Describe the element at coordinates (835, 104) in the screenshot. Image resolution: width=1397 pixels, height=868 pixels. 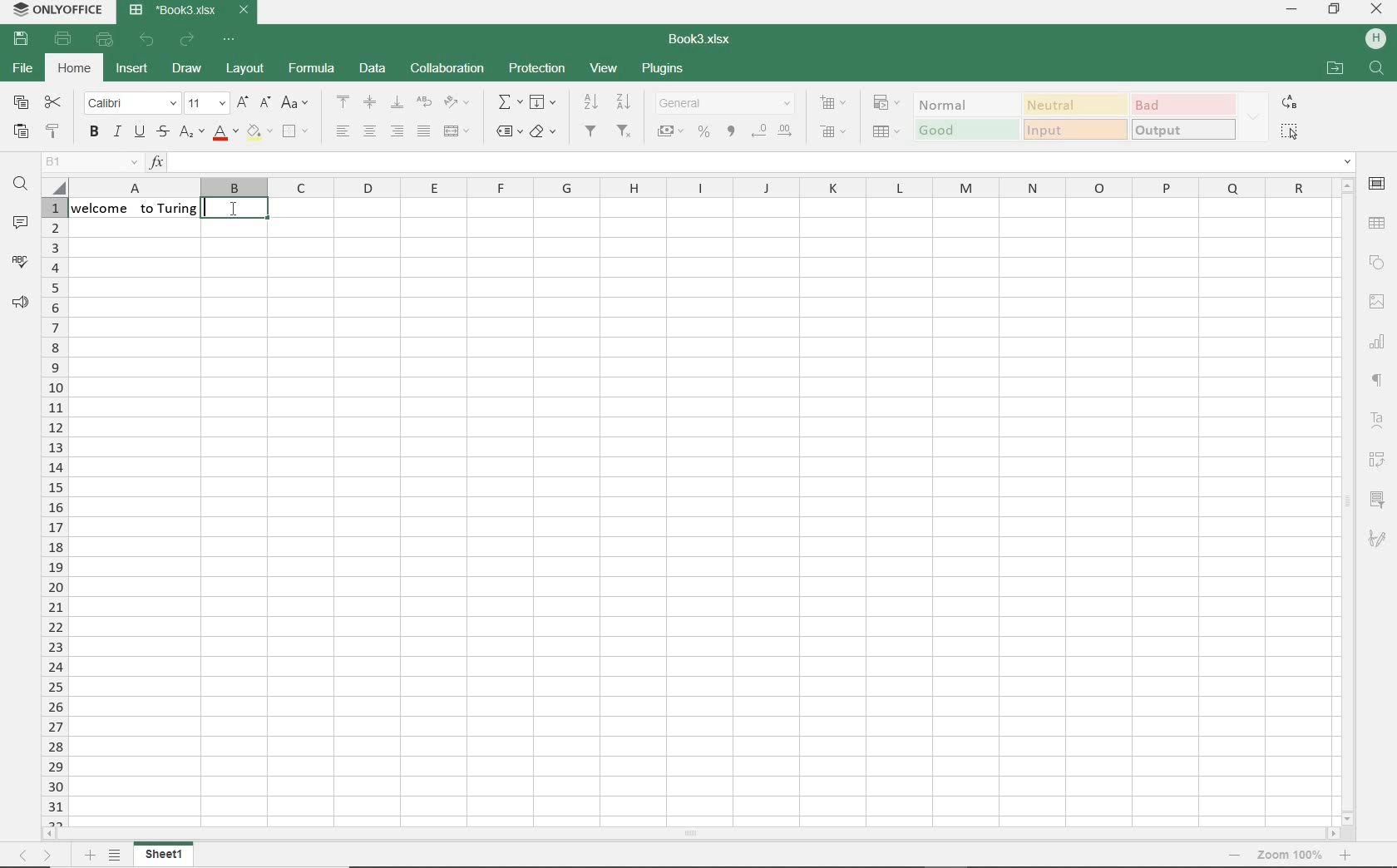
I see `insert cells` at that location.